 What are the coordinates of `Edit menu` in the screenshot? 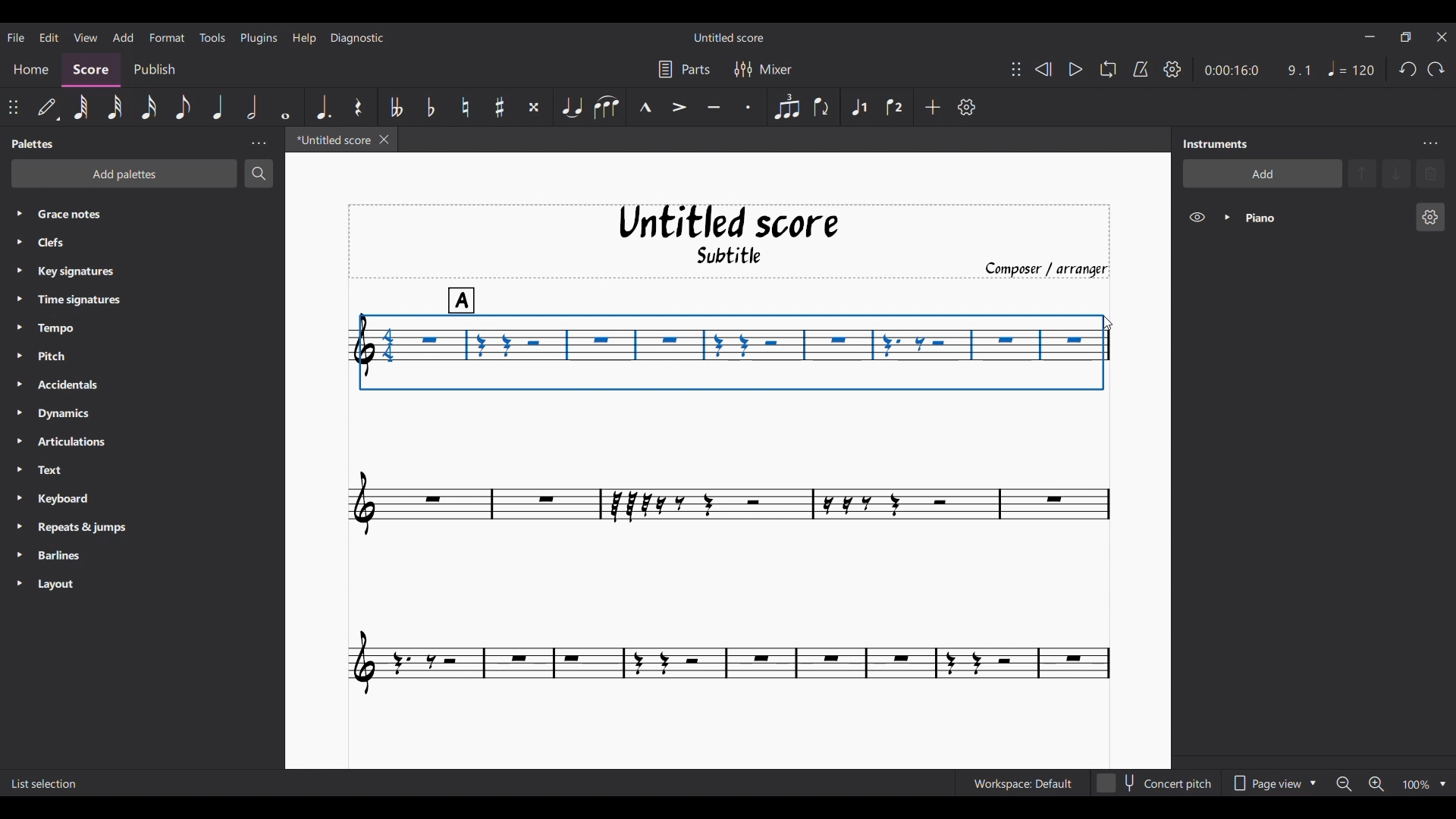 It's located at (48, 36).